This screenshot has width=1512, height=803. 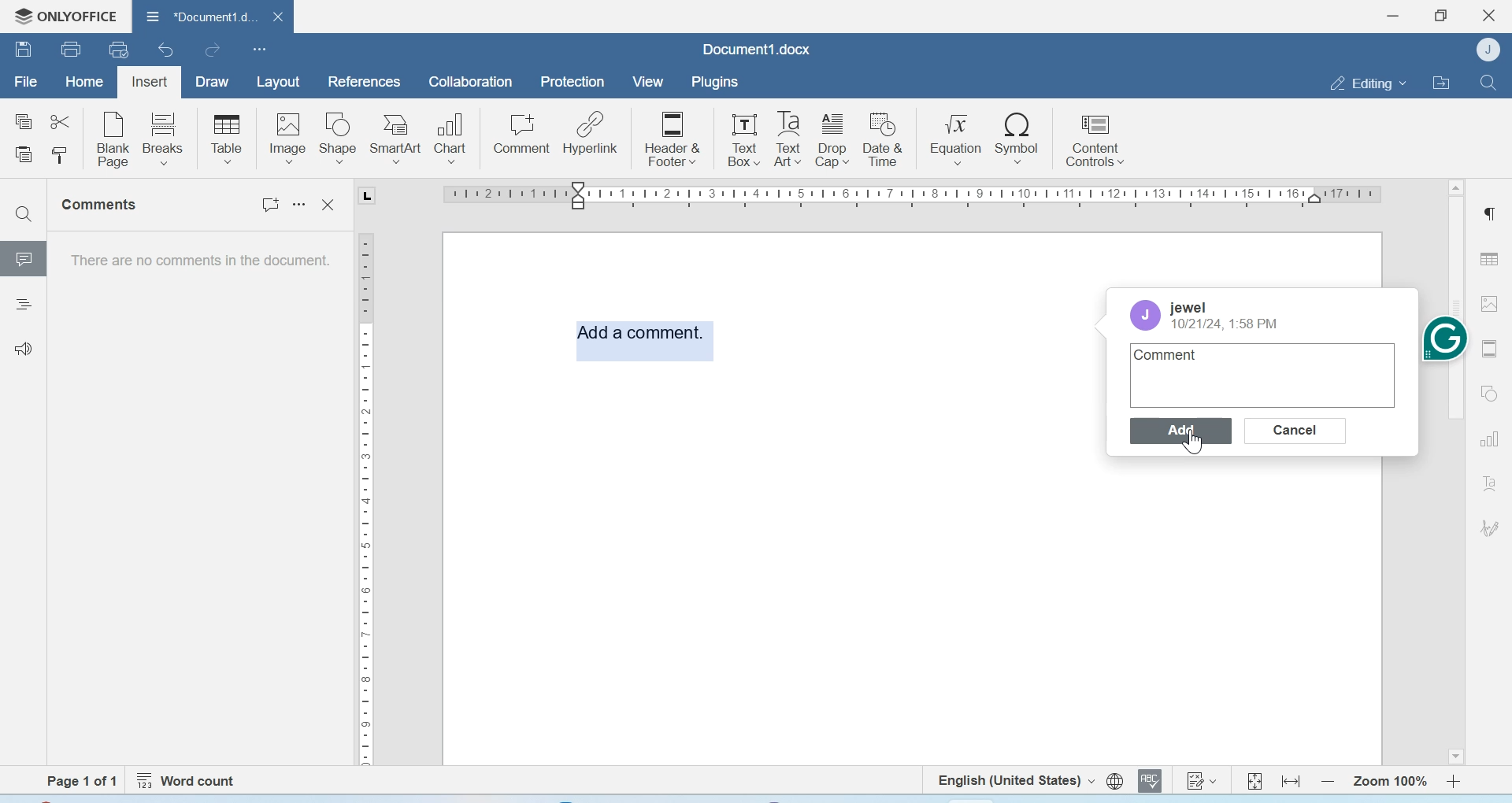 I want to click on Copy style, so click(x=59, y=156).